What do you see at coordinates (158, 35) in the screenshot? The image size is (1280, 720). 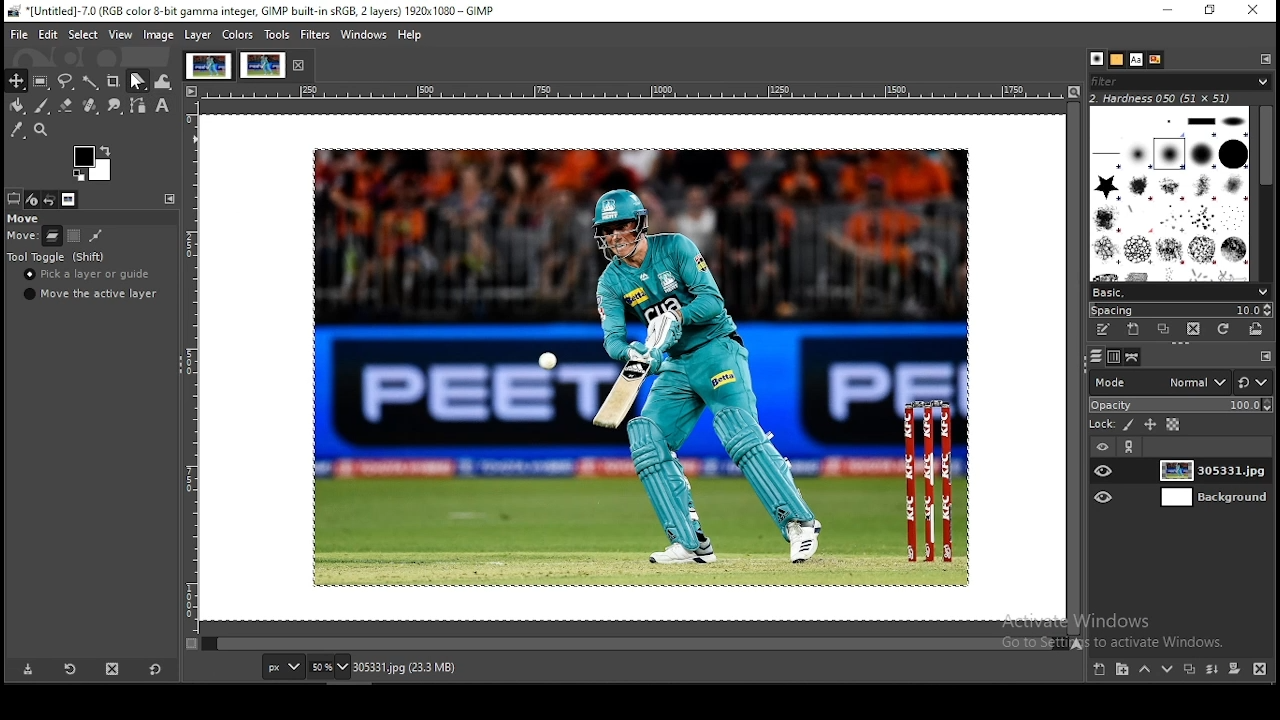 I see `image` at bounding box center [158, 35].